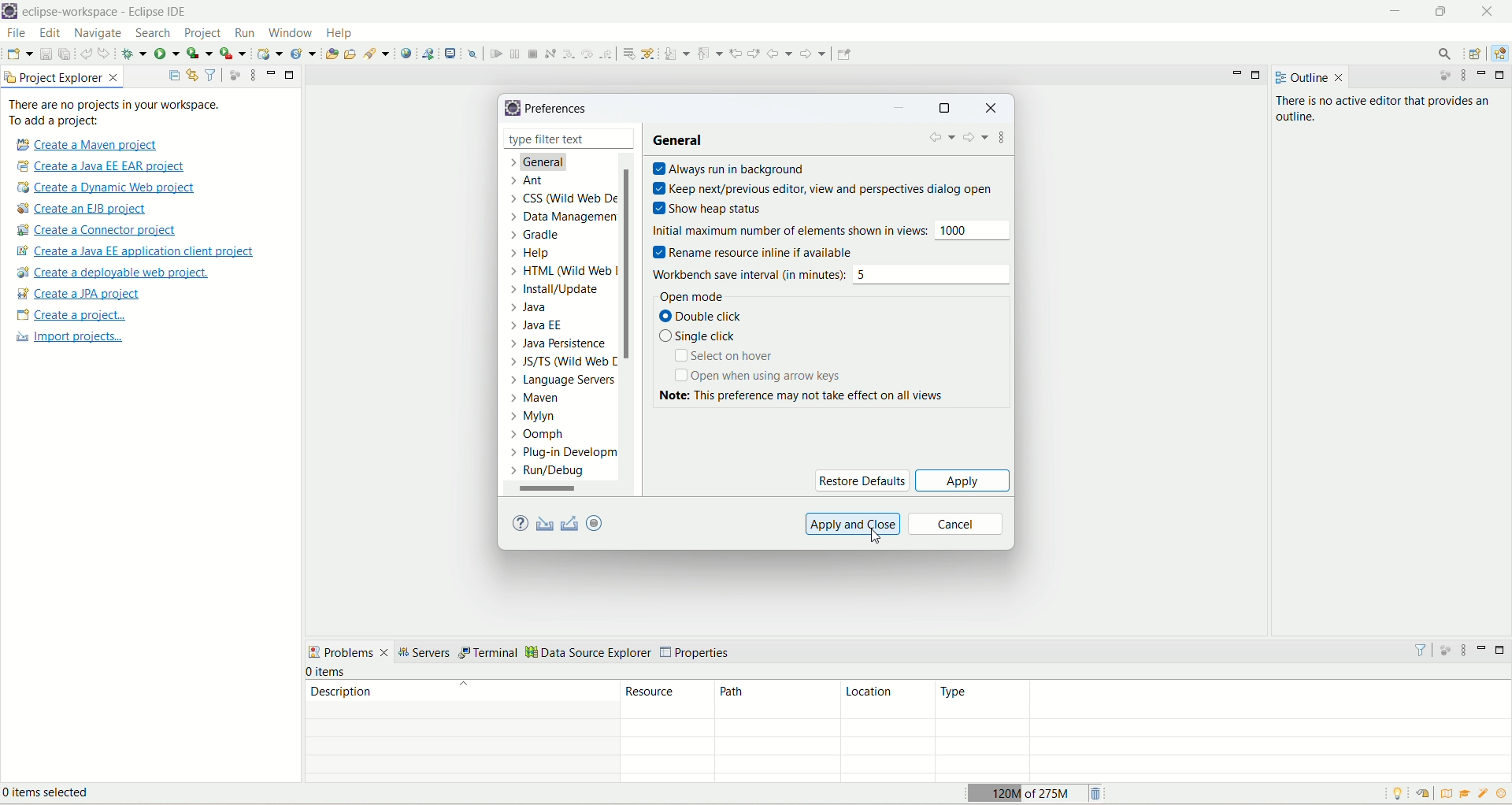 The width and height of the screenshot is (1512, 805). What do you see at coordinates (820, 395) in the screenshot?
I see `Note: This preference may not take effect on all views` at bounding box center [820, 395].